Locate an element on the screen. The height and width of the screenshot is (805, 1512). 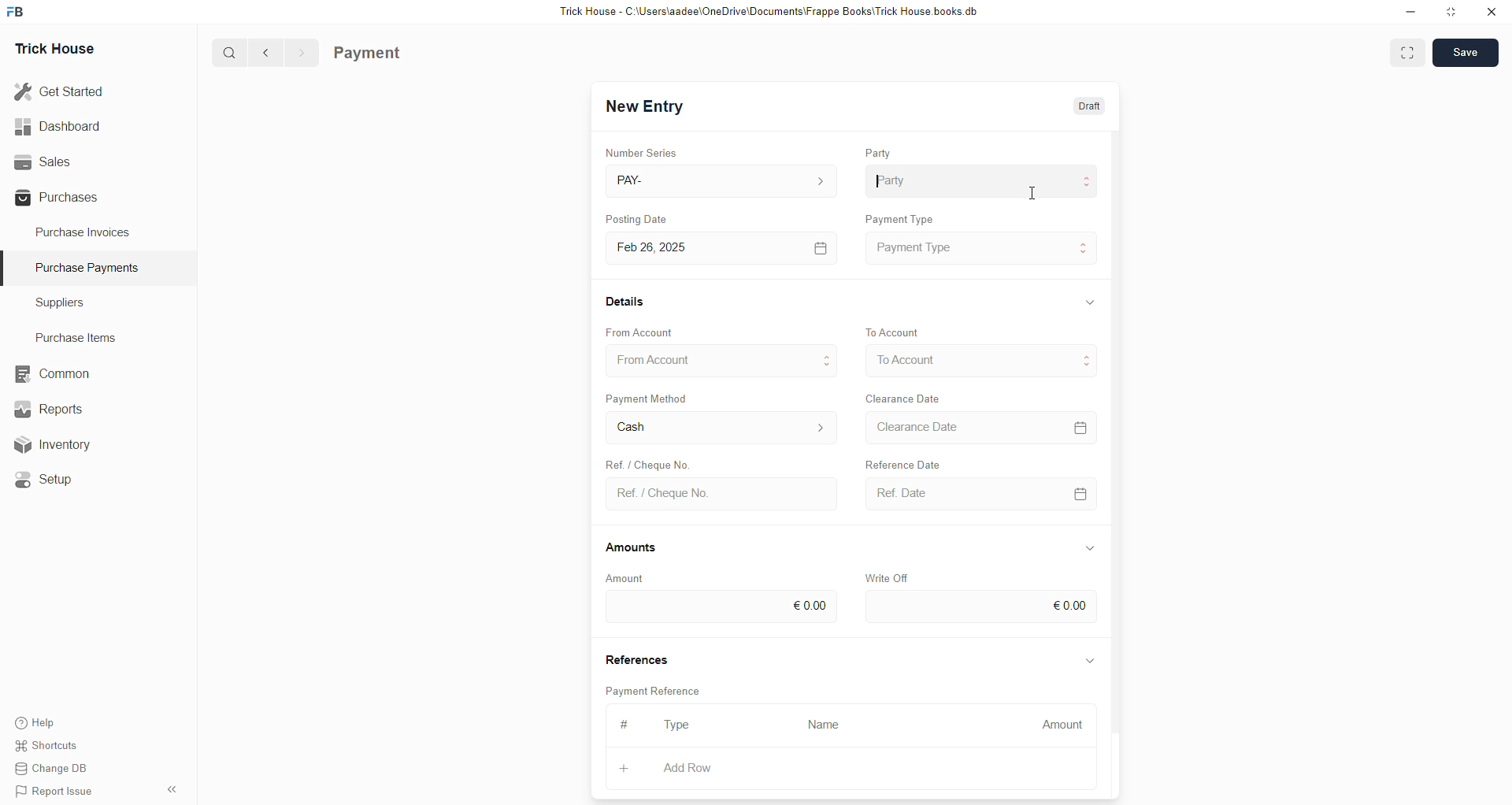
Common is located at coordinates (50, 373).